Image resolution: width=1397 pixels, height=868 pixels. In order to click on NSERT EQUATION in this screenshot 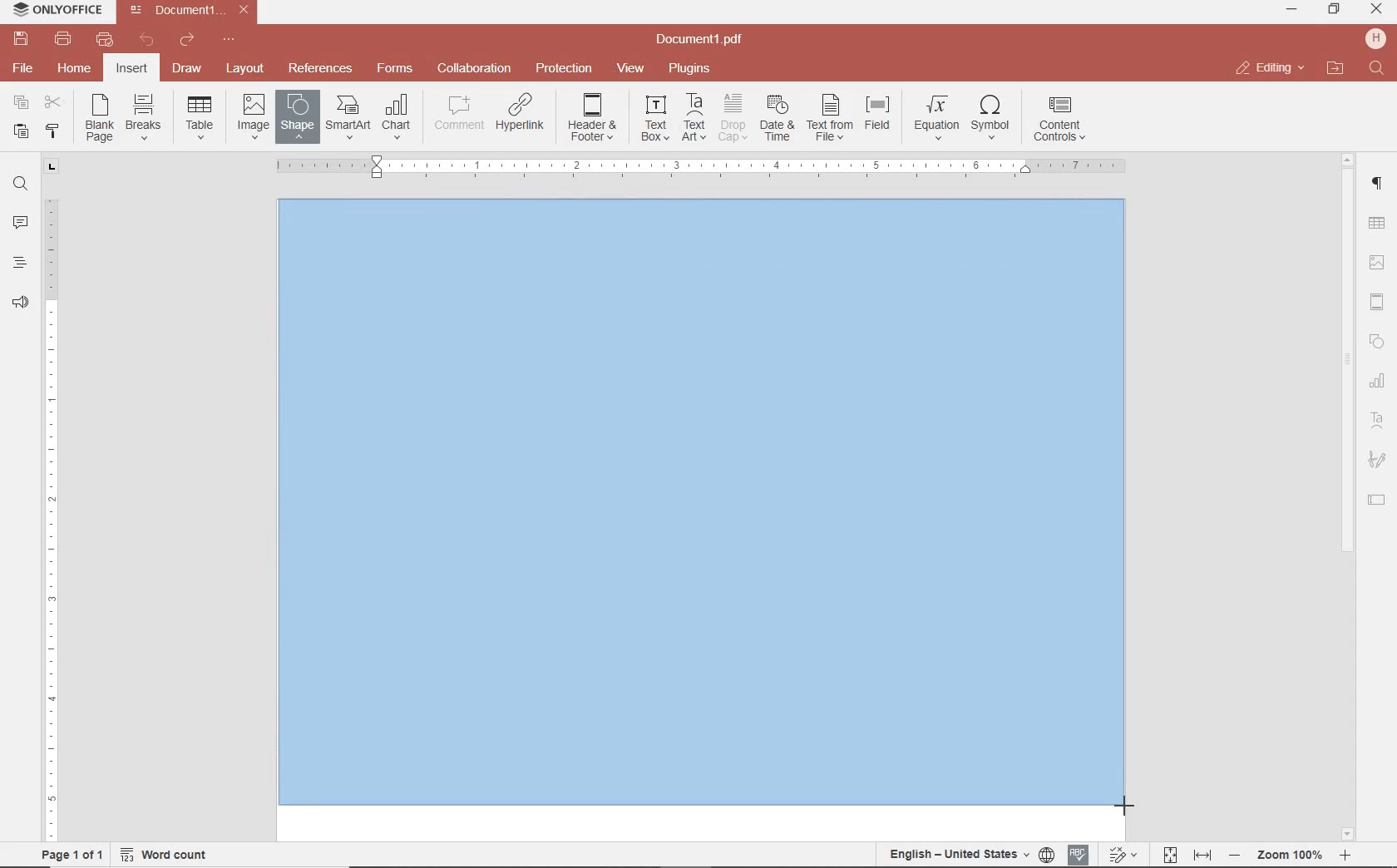, I will do `click(935, 116)`.